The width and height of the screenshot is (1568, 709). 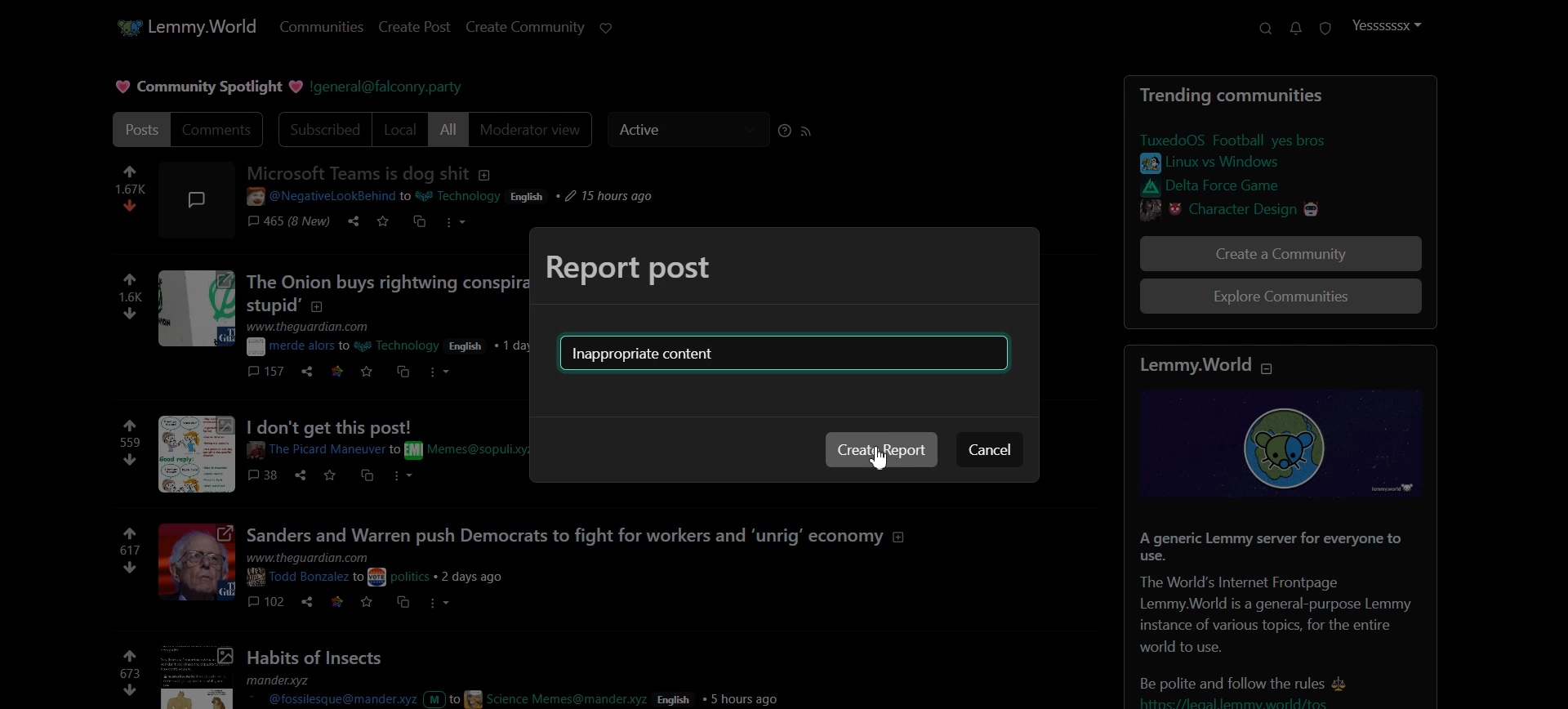 What do you see at coordinates (455, 224) in the screenshot?
I see `more` at bounding box center [455, 224].